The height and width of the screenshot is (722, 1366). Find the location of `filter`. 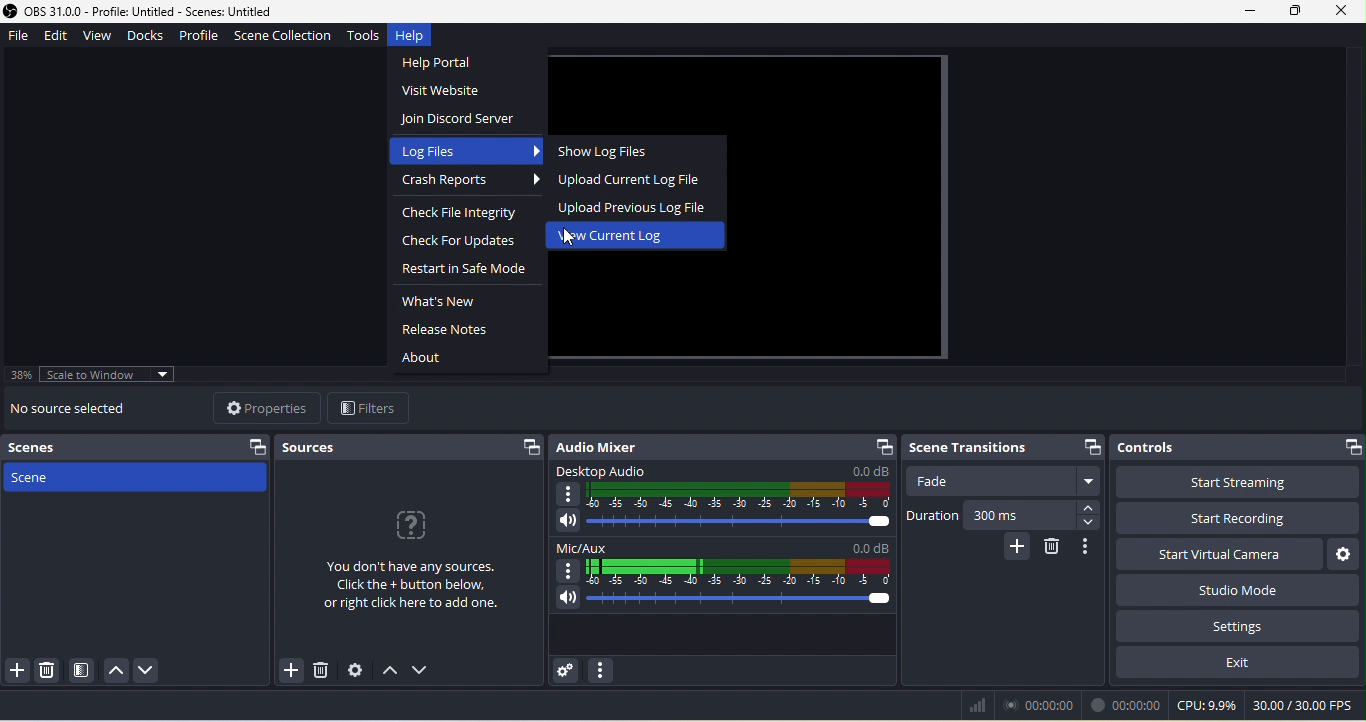

filter is located at coordinates (371, 408).